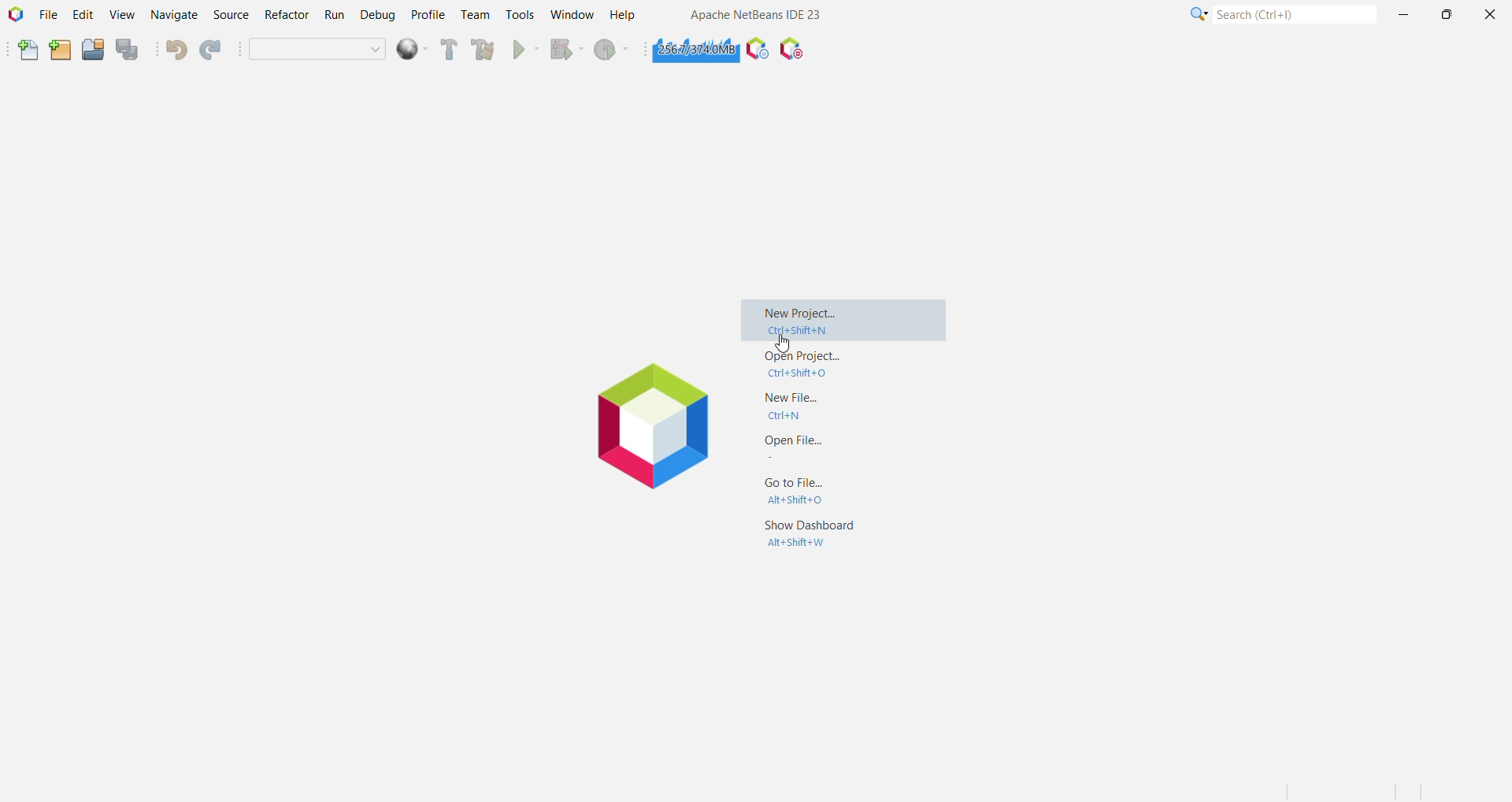  Describe the element at coordinates (129, 50) in the screenshot. I see `Save All` at that location.